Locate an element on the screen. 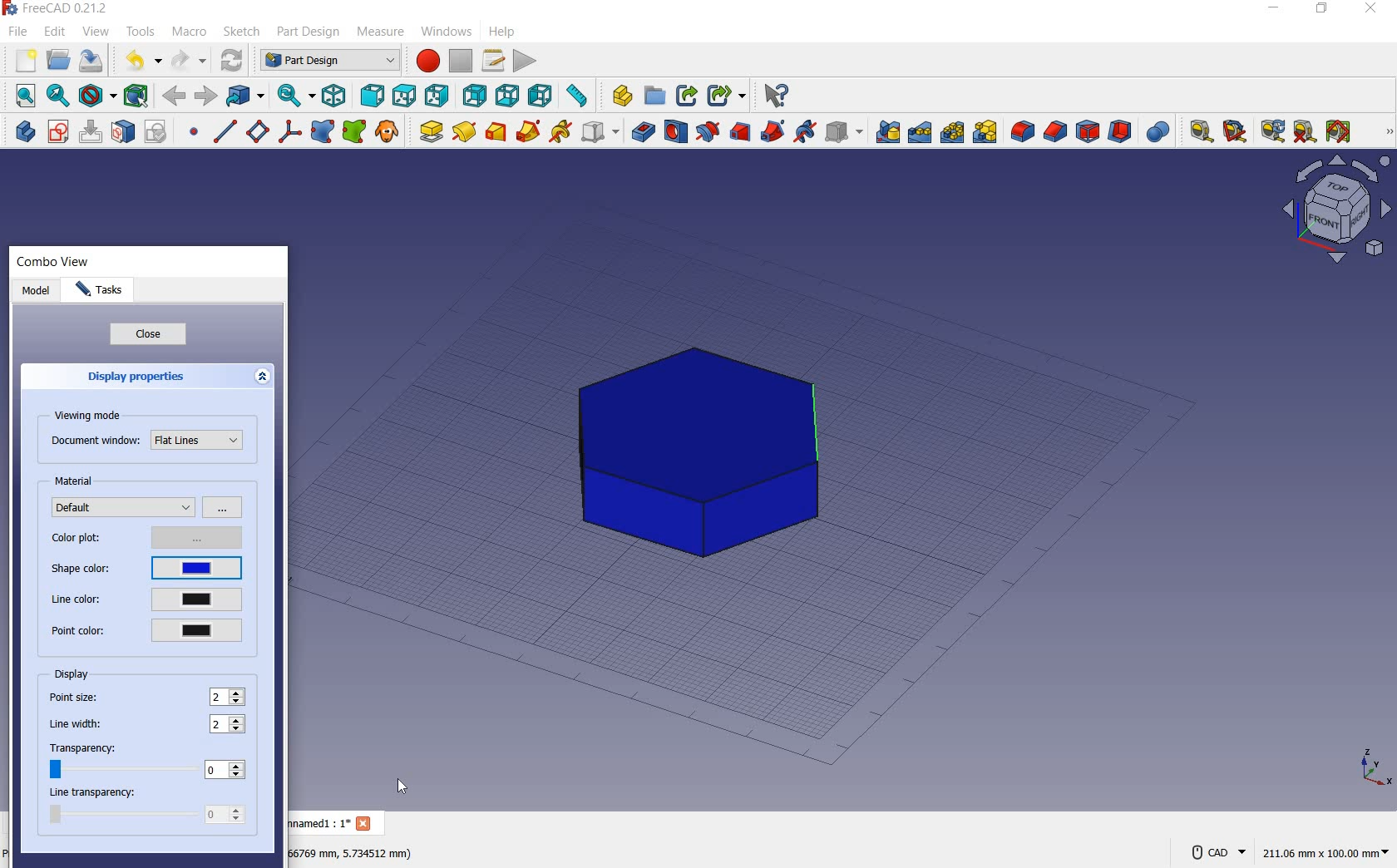  MINIMIZE is located at coordinates (1275, 11).